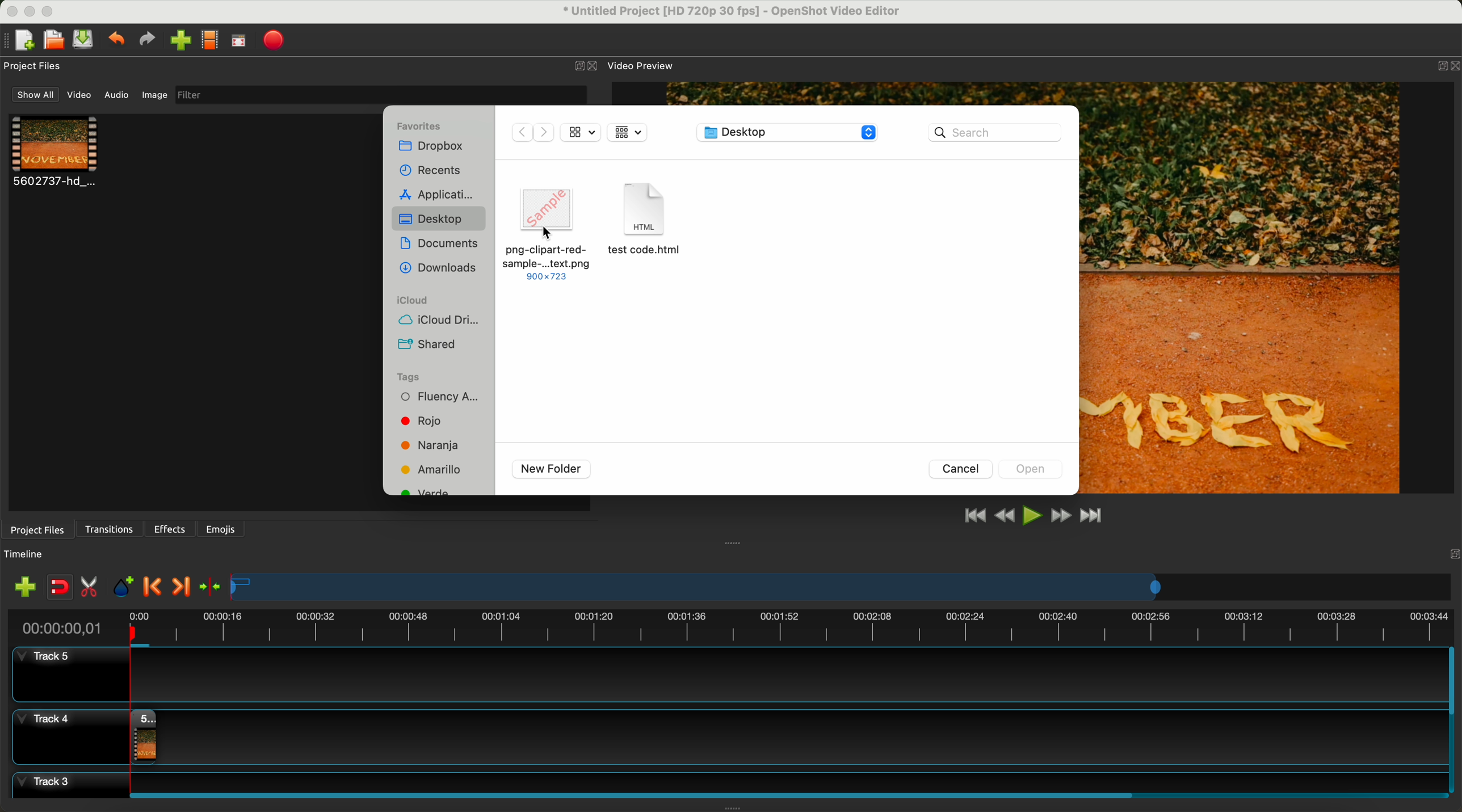 This screenshot has height=812, width=1462. I want to click on video, so click(56, 153).